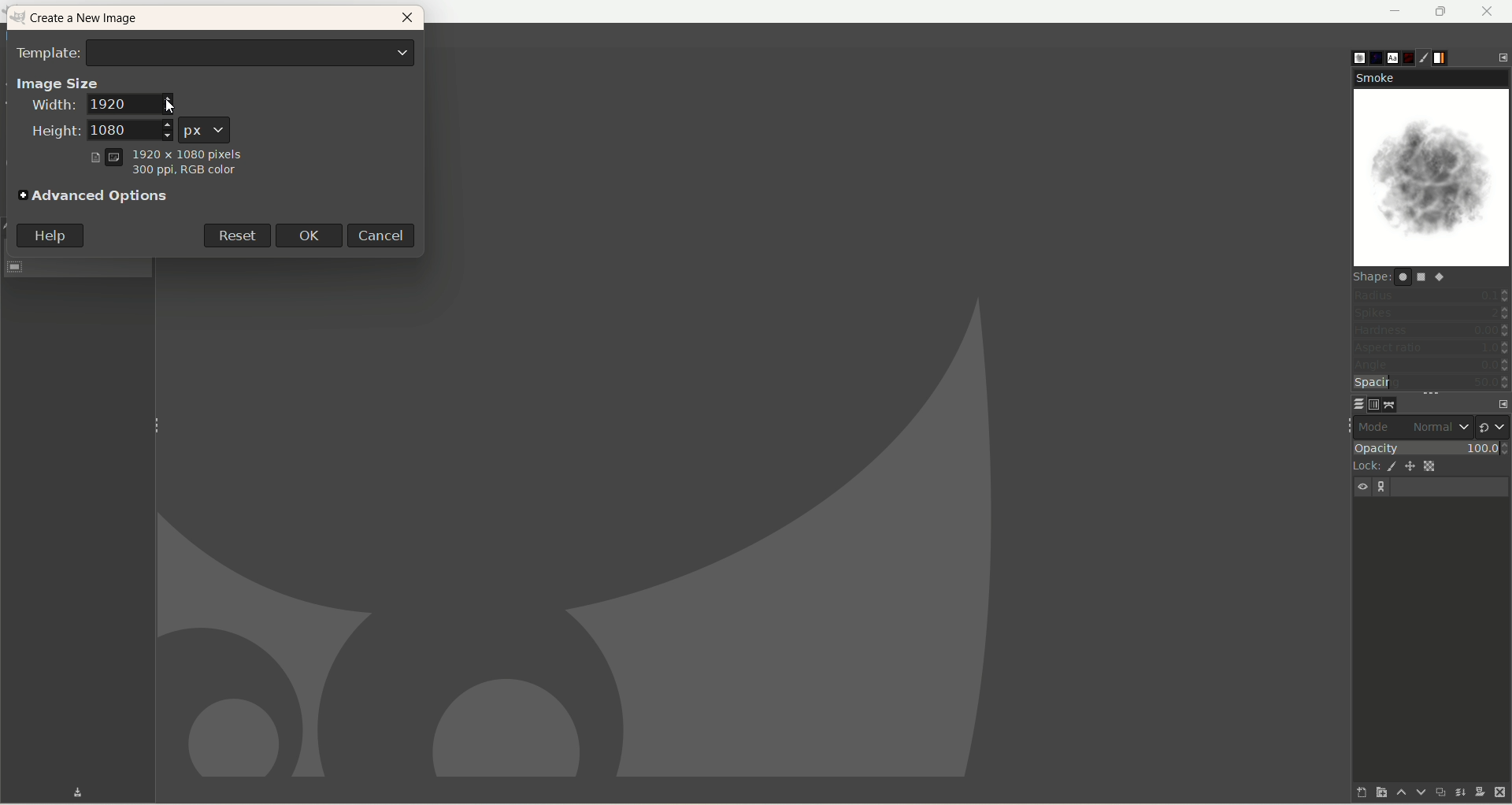 The height and width of the screenshot is (805, 1512). What do you see at coordinates (1433, 169) in the screenshot?
I see `smoke` at bounding box center [1433, 169].